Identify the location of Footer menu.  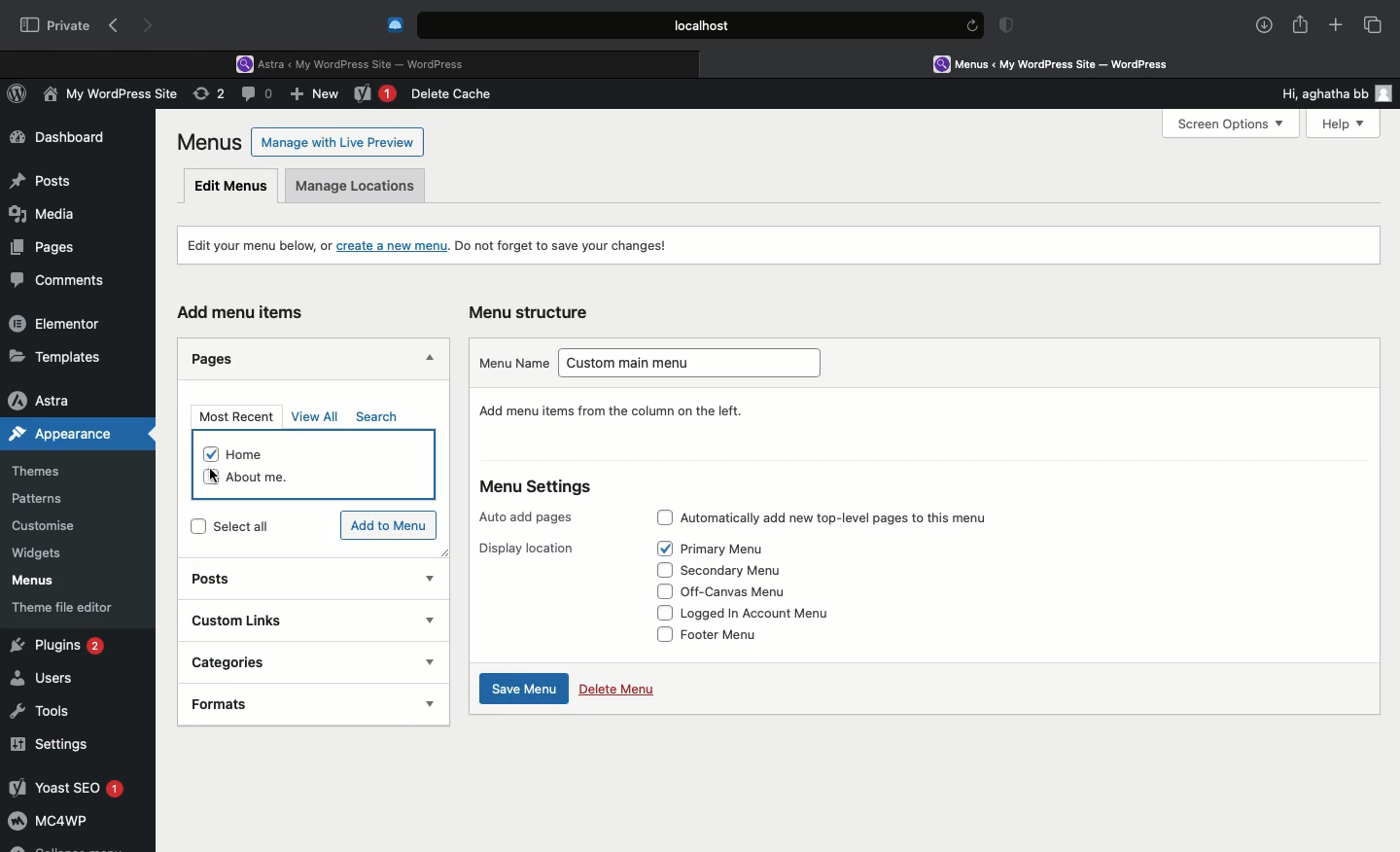
(732, 634).